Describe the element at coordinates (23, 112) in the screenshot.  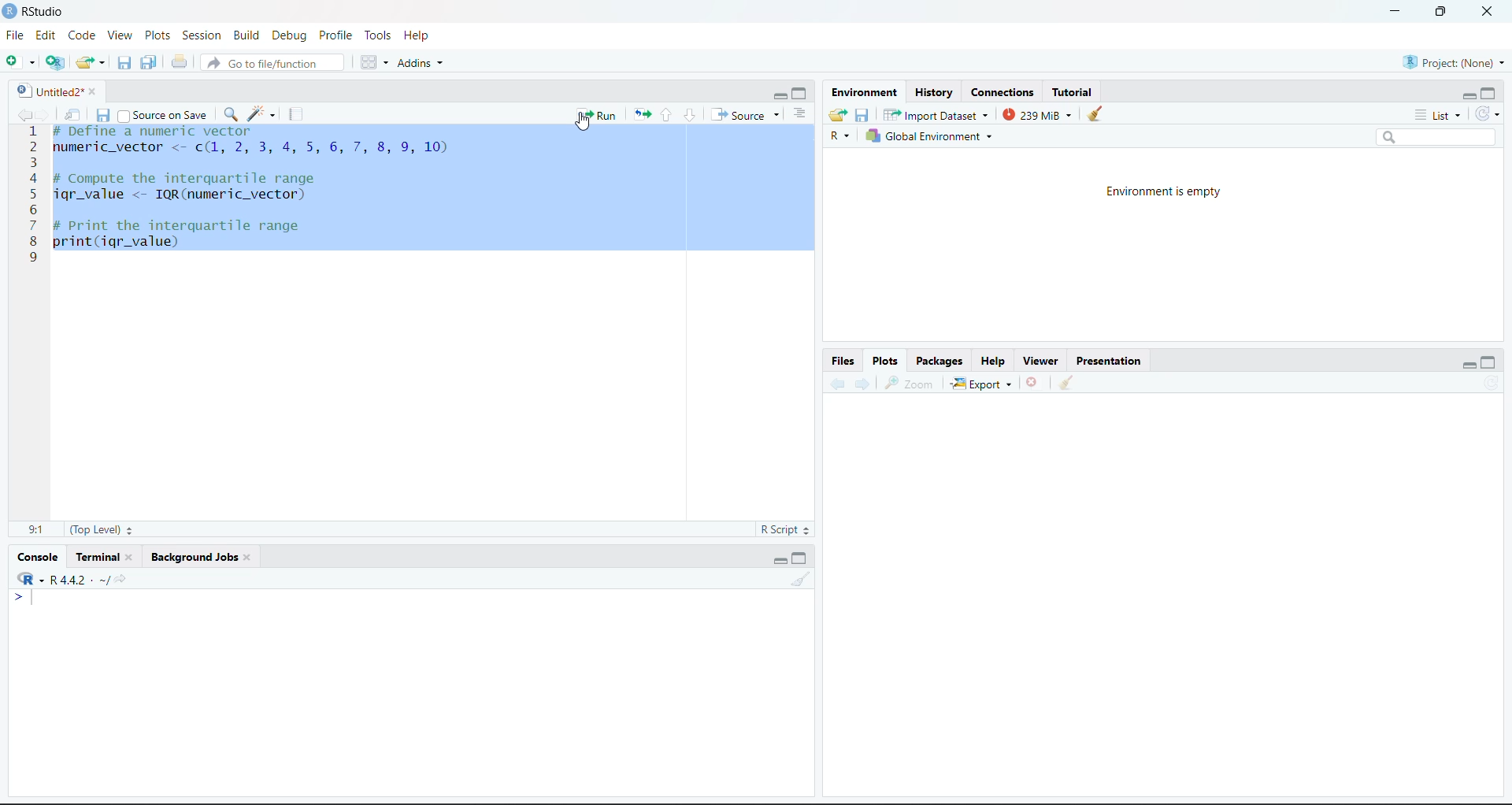
I see `Go back to the previous source location (Ctrl + F9)` at that location.